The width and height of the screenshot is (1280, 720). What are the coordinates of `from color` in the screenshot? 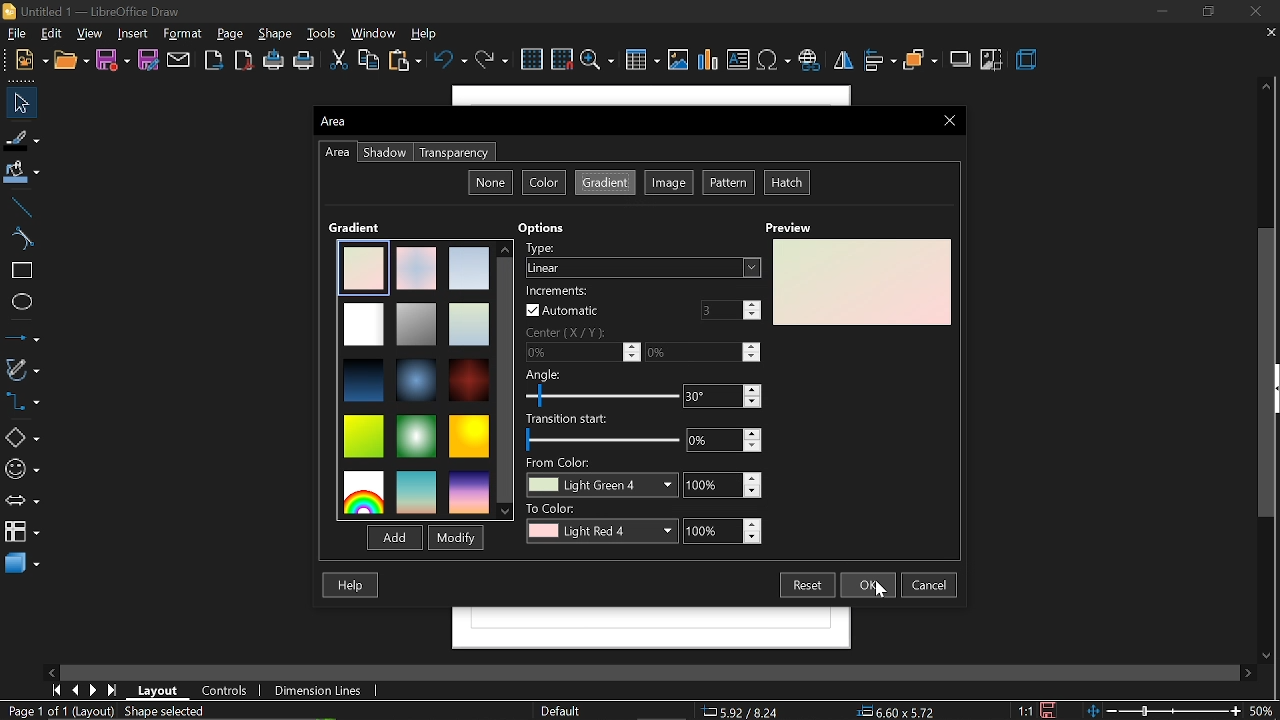 It's located at (602, 478).